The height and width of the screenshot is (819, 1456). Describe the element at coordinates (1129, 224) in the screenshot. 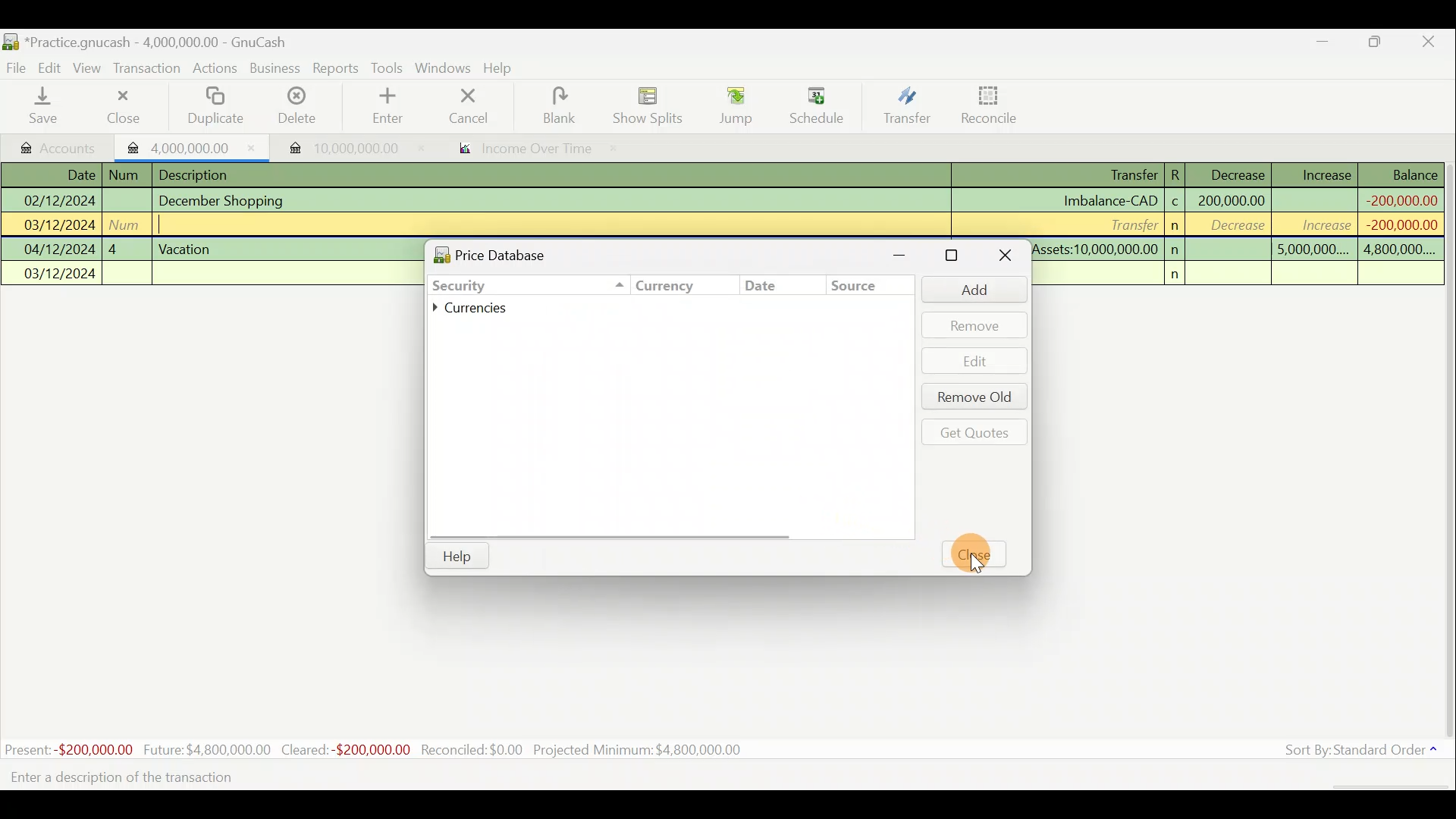

I see `Transfer` at that location.